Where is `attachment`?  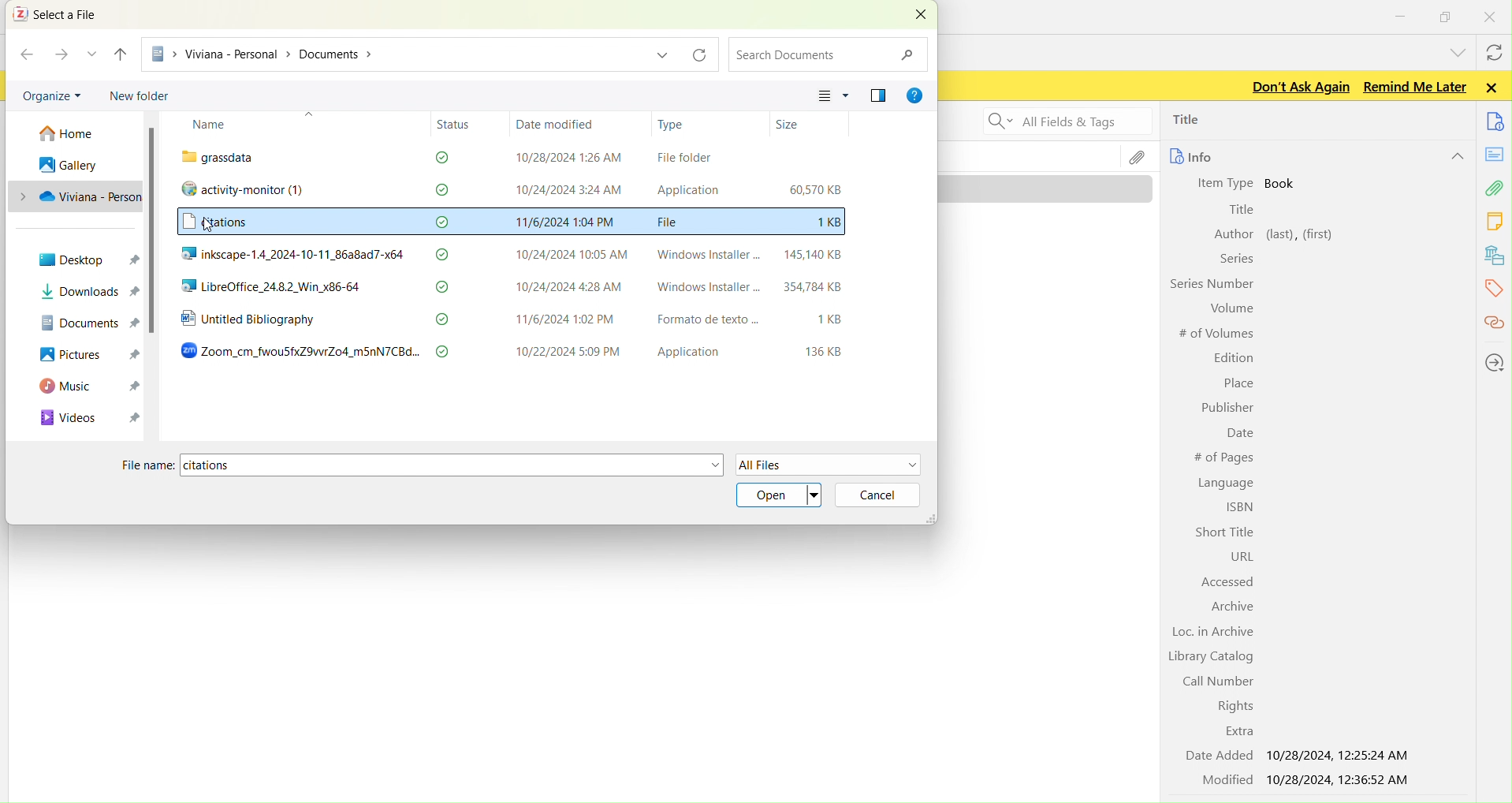
attachment is located at coordinates (1496, 188).